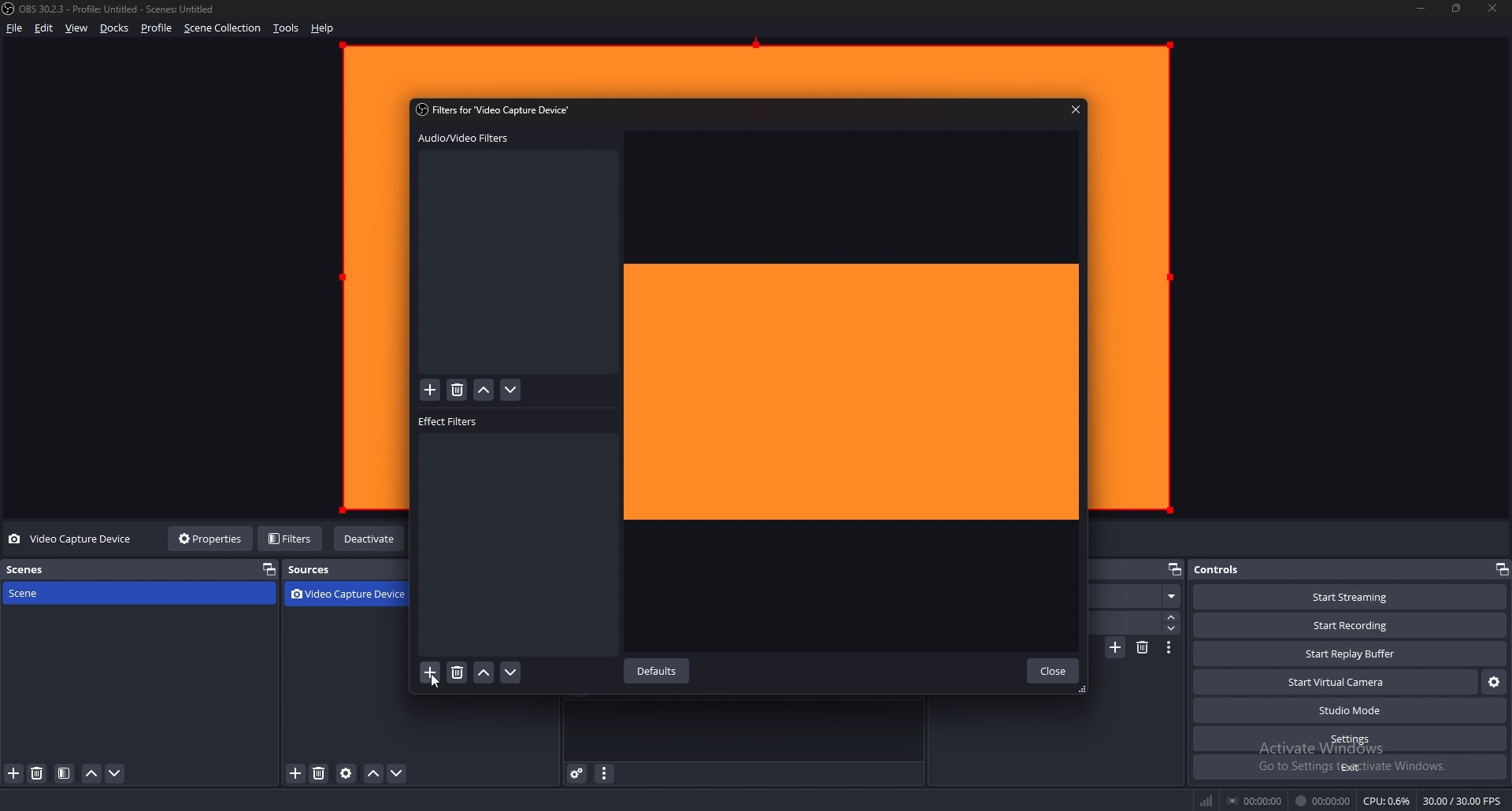 The height and width of the screenshot is (811, 1512). What do you see at coordinates (510, 673) in the screenshot?
I see `move filter down` at bounding box center [510, 673].